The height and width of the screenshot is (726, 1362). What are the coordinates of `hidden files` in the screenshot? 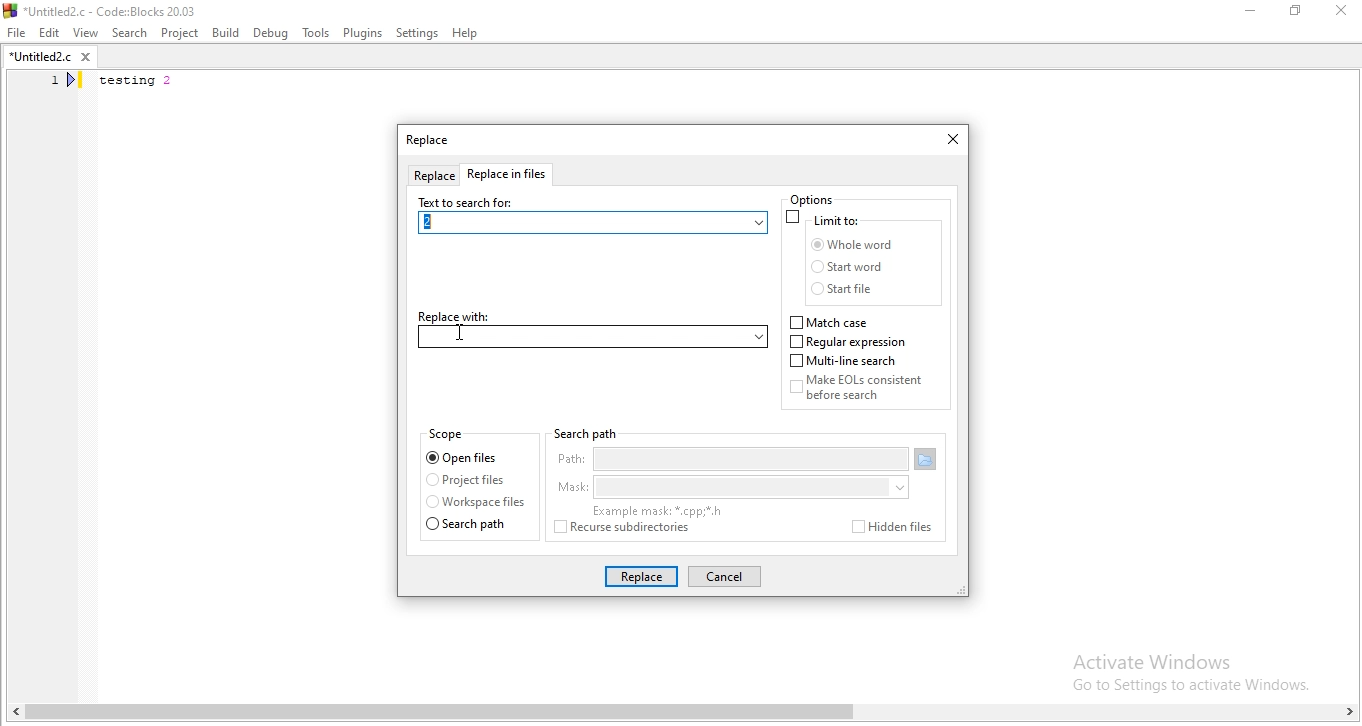 It's located at (887, 527).